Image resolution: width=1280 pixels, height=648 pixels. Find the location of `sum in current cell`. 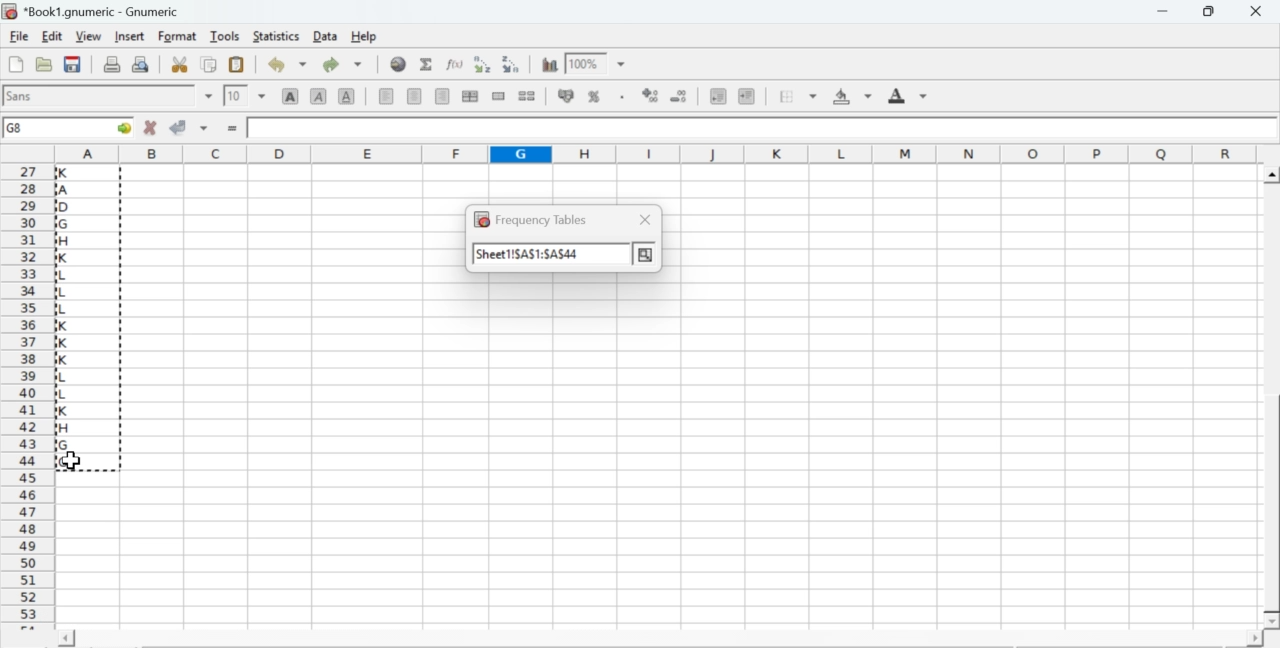

sum in current cell is located at coordinates (427, 63).